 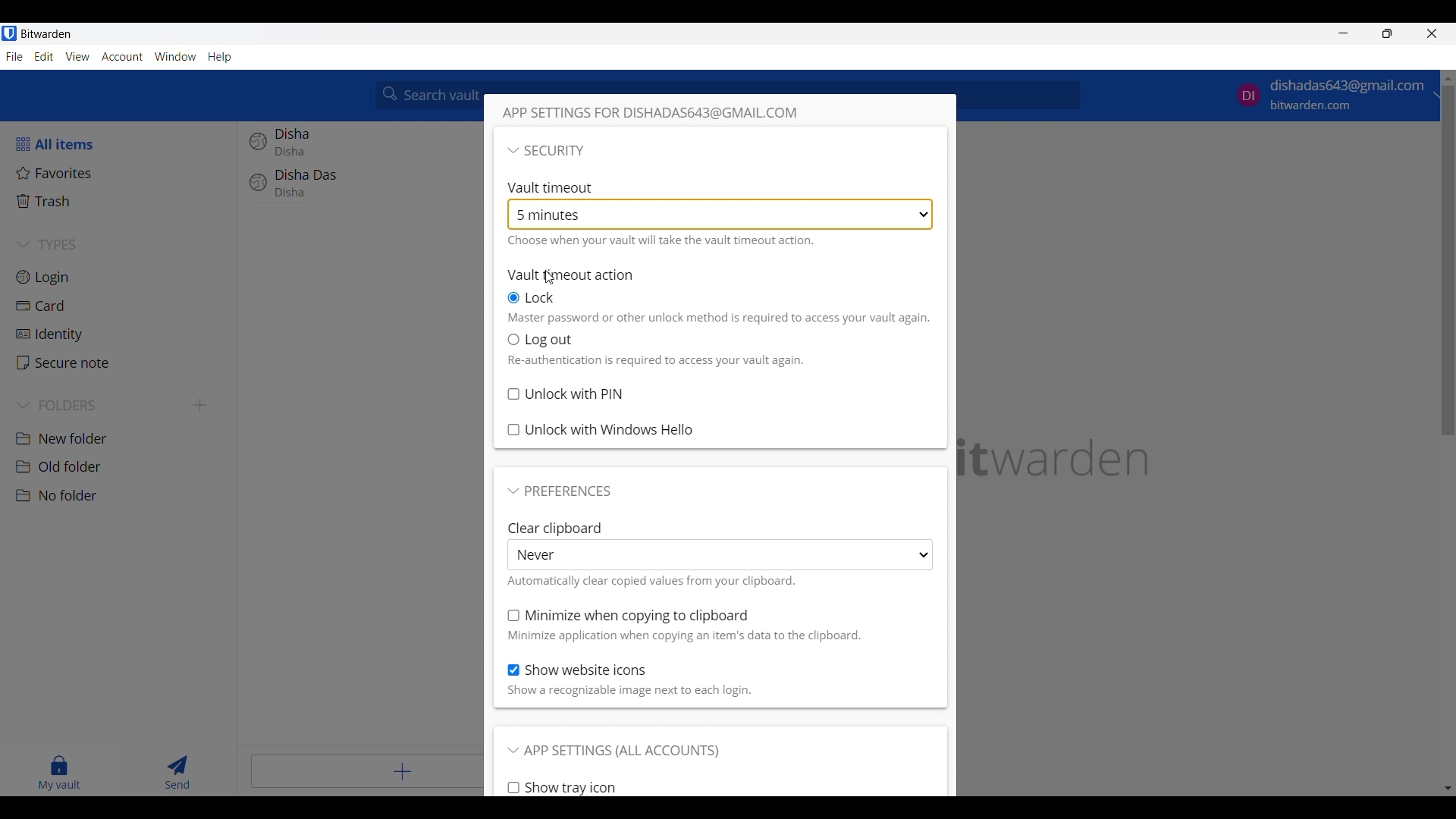 I want to click on Description of above list, so click(x=651, y=580).